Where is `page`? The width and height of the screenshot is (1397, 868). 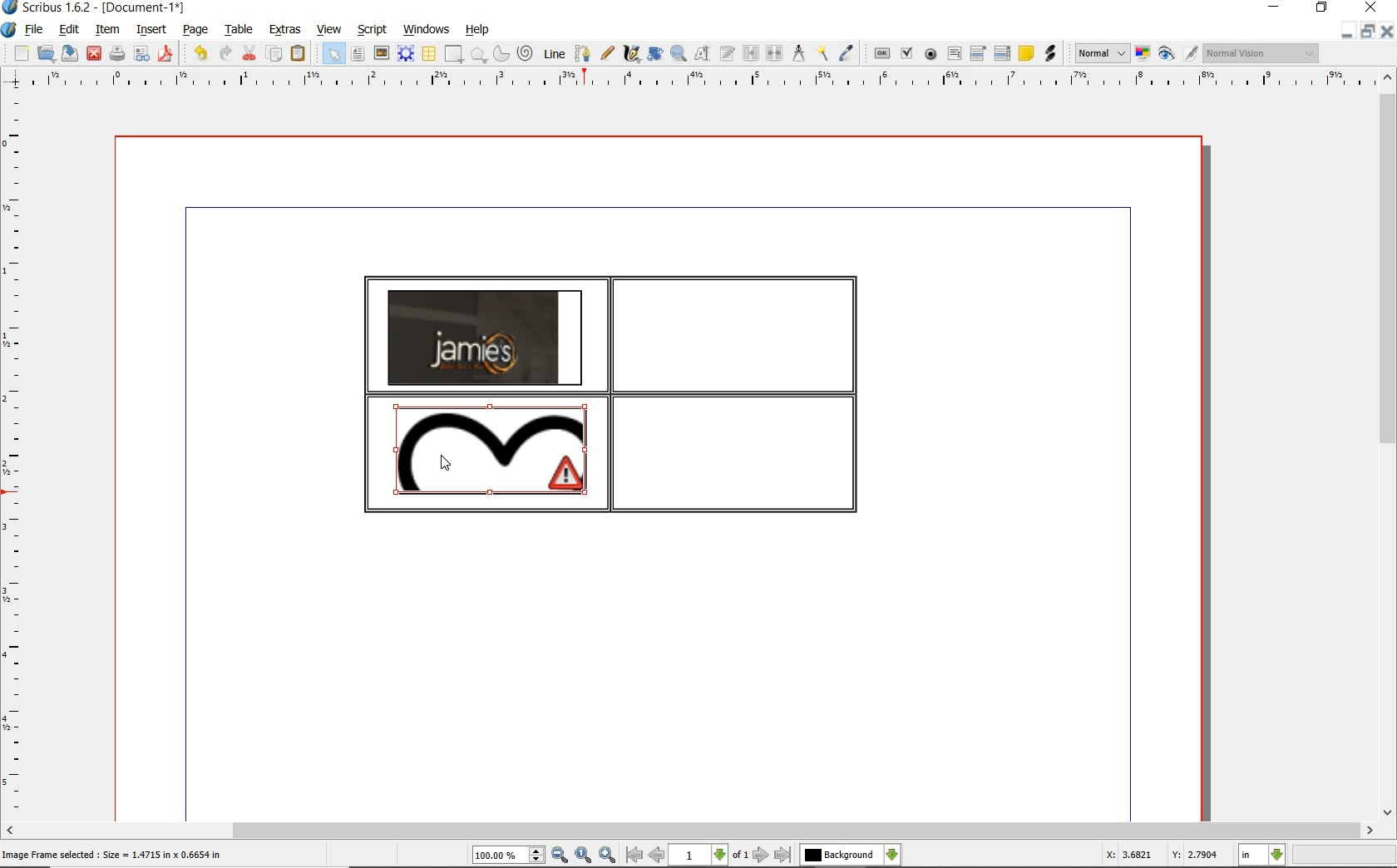
page is located at coordinates (195, 31).